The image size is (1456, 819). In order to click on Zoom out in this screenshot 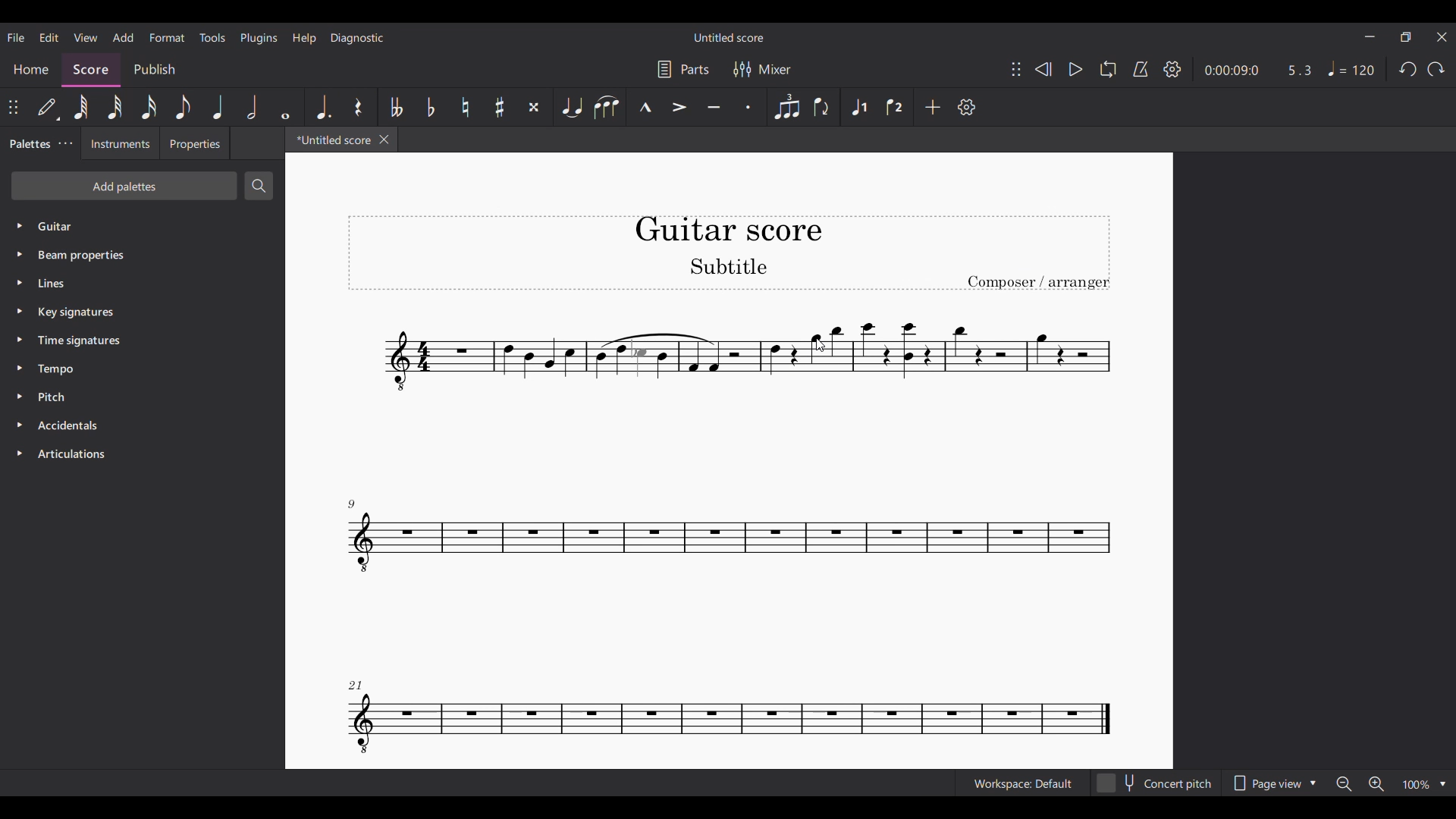, I will do `click(1345, 784)`.